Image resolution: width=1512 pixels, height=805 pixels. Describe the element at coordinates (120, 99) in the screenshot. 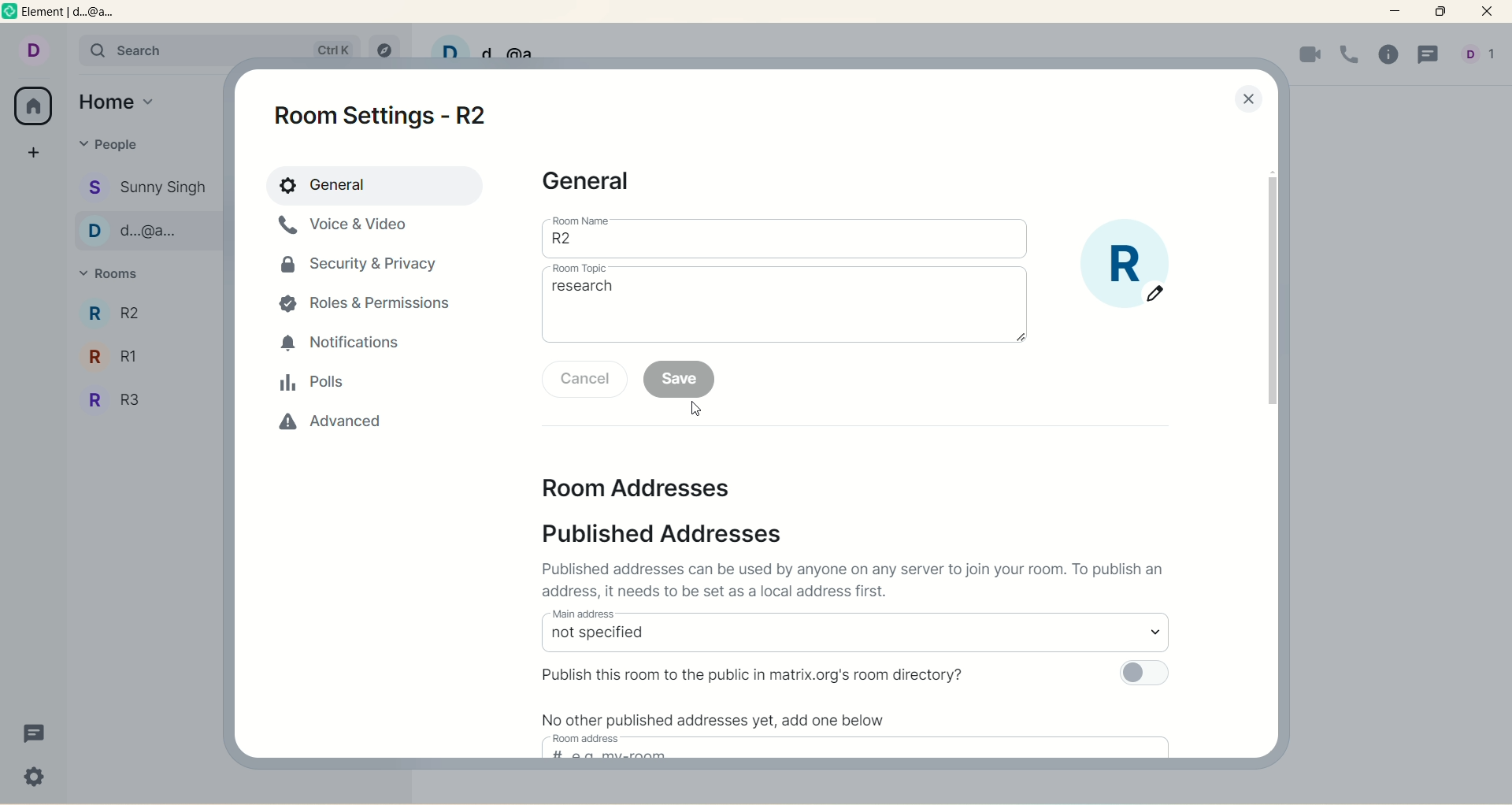

I see `home` at that location.